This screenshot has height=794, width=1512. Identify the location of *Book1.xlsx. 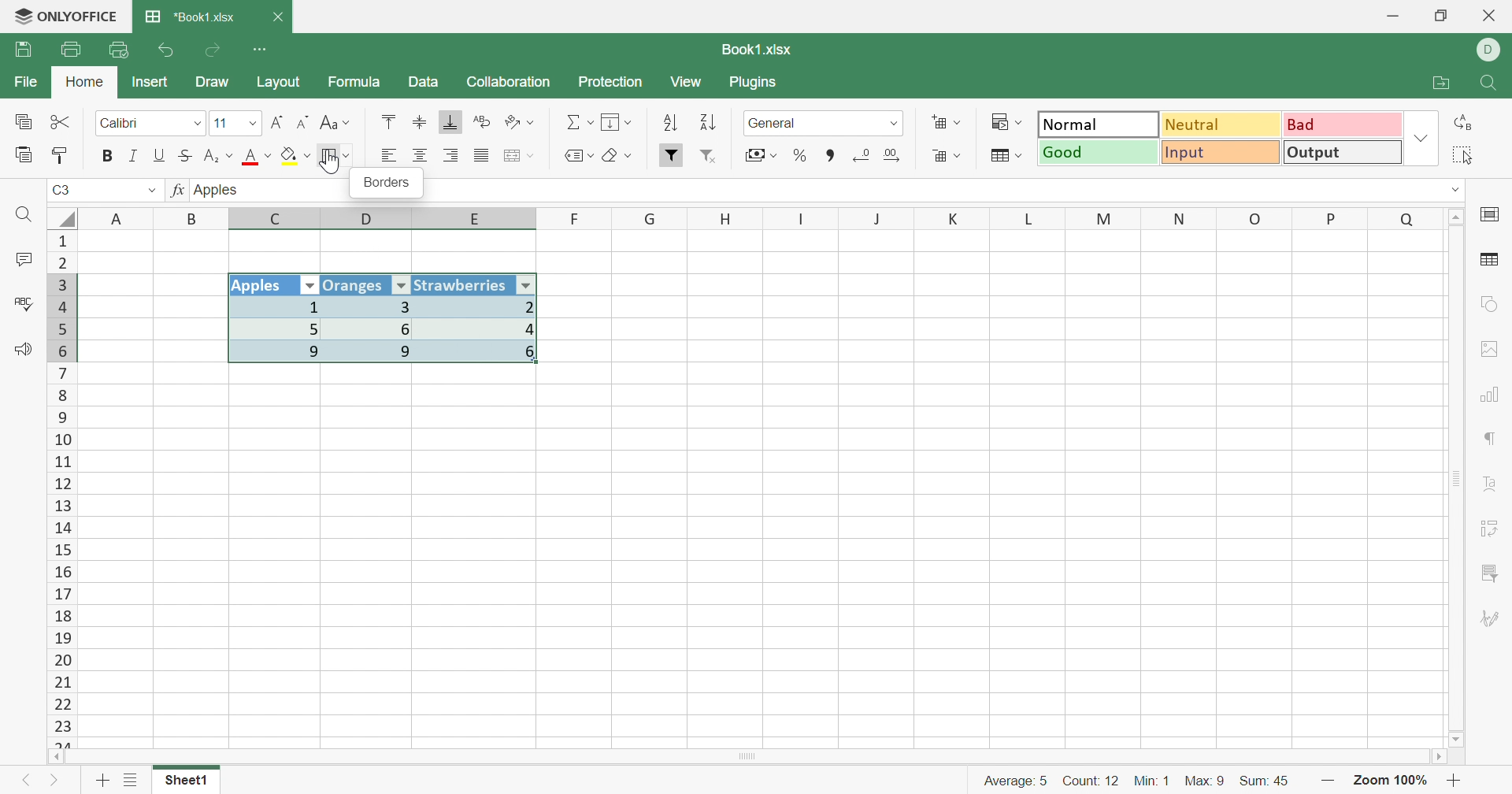
(190, 18).